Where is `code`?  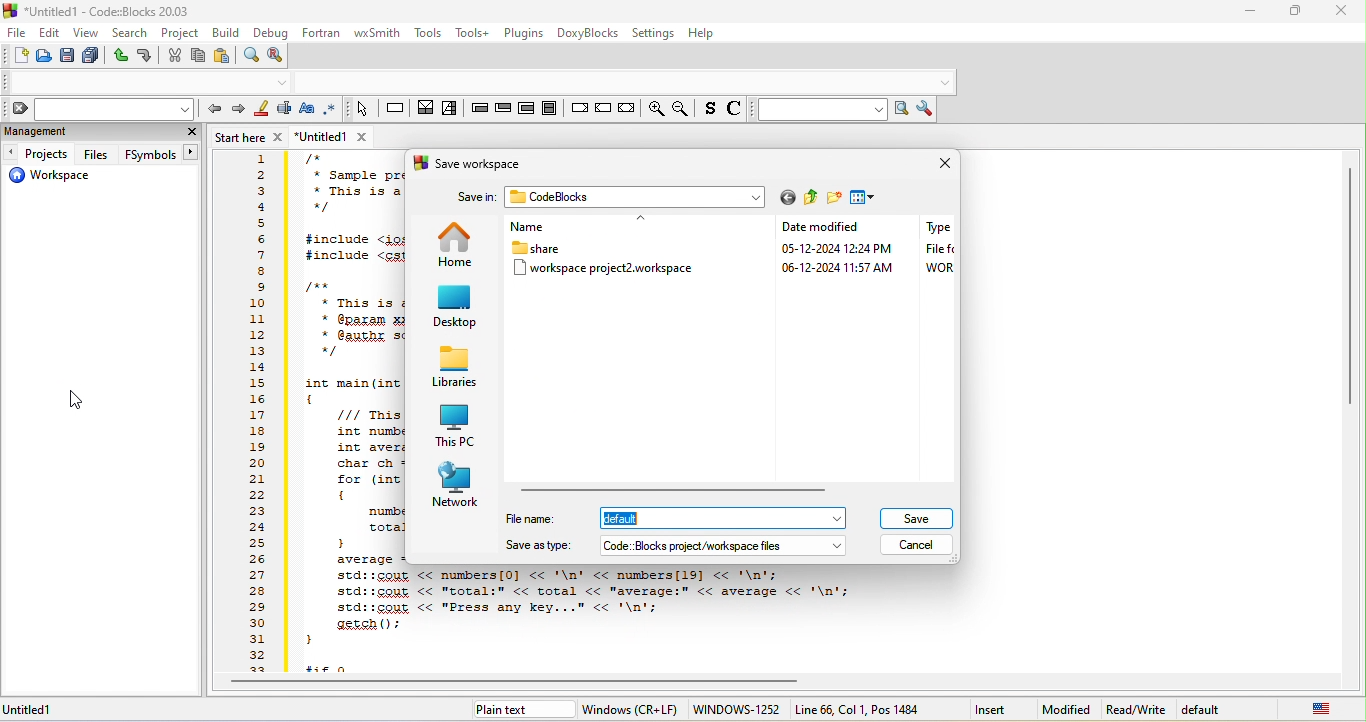
code is located at coordinates (348, 352).